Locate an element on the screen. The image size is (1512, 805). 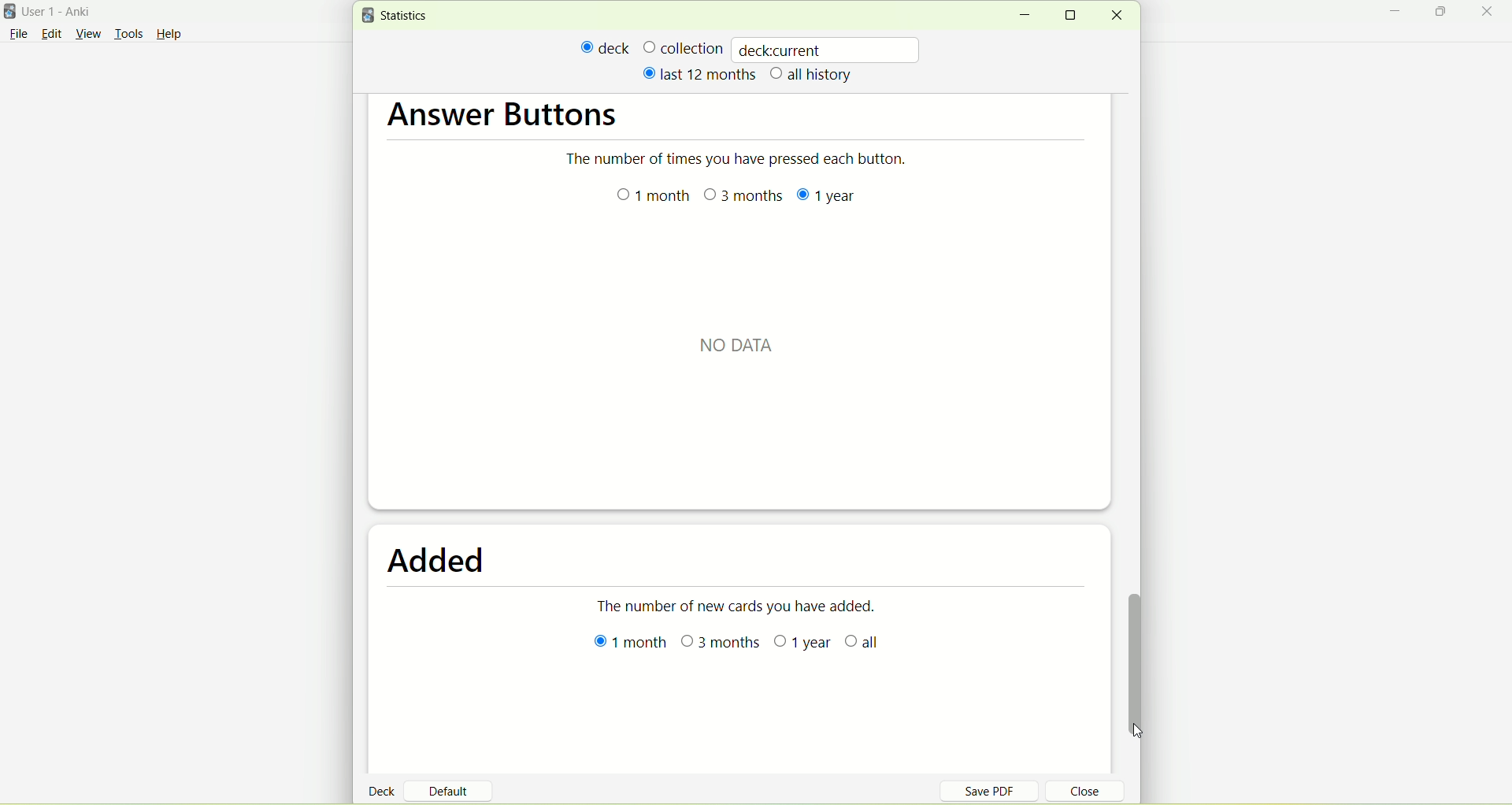
answer buttons is located at coordinates (508, 119).